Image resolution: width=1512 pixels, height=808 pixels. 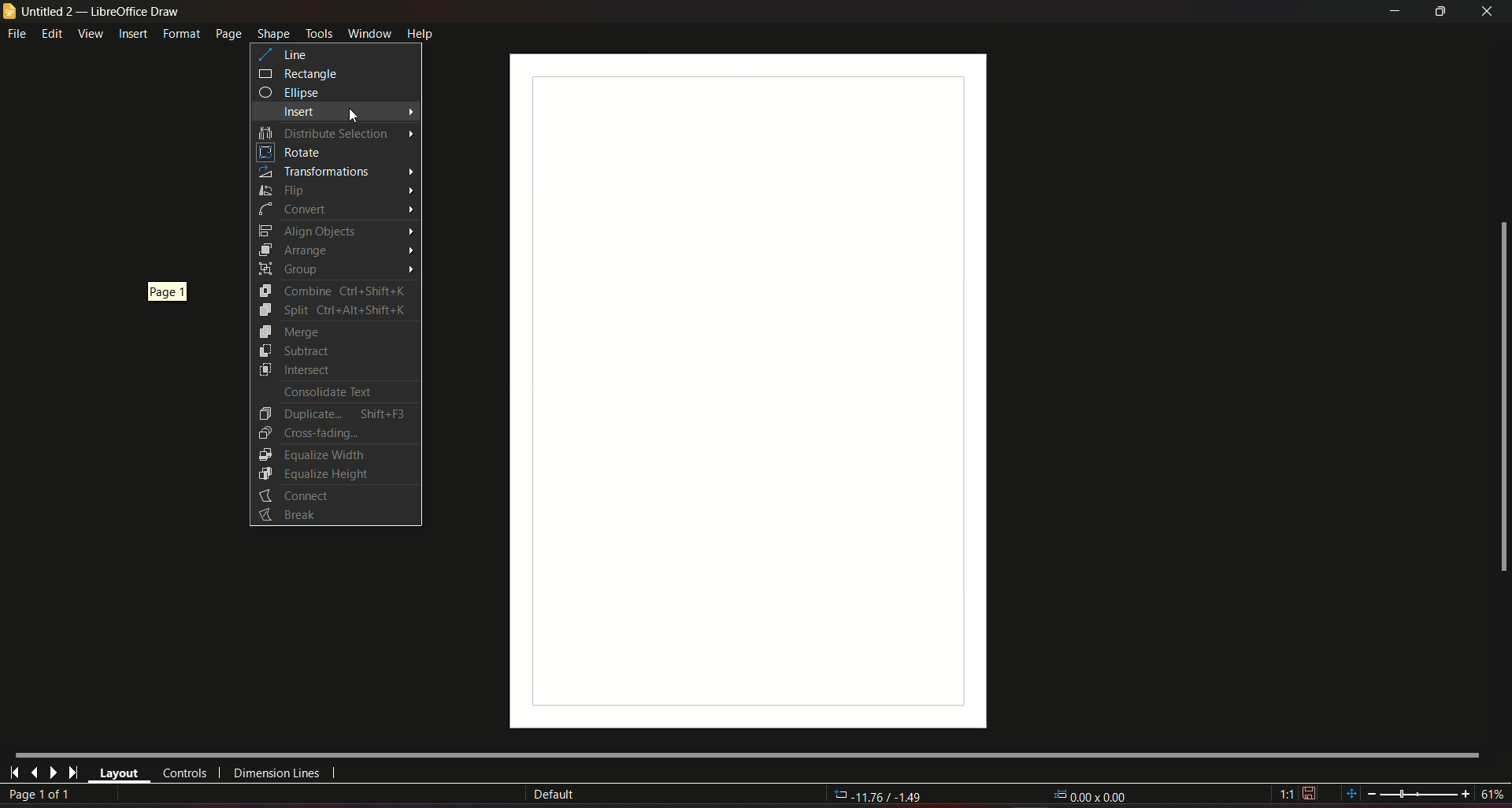 I want to click on Combine, so click(x=334, y=290).